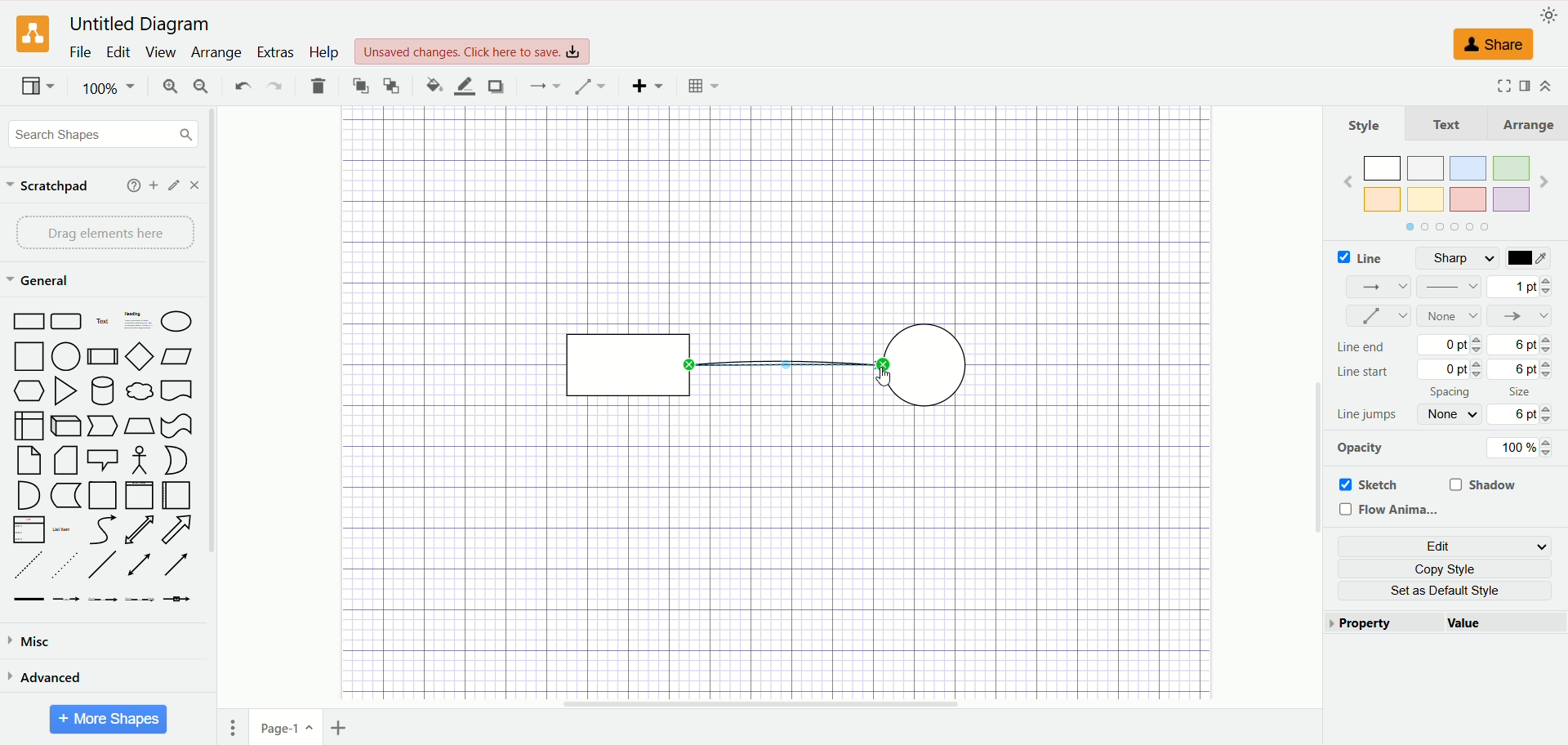  Describe the element at coordinates (390, 85) in the screenshot. I see `to back` at that location.